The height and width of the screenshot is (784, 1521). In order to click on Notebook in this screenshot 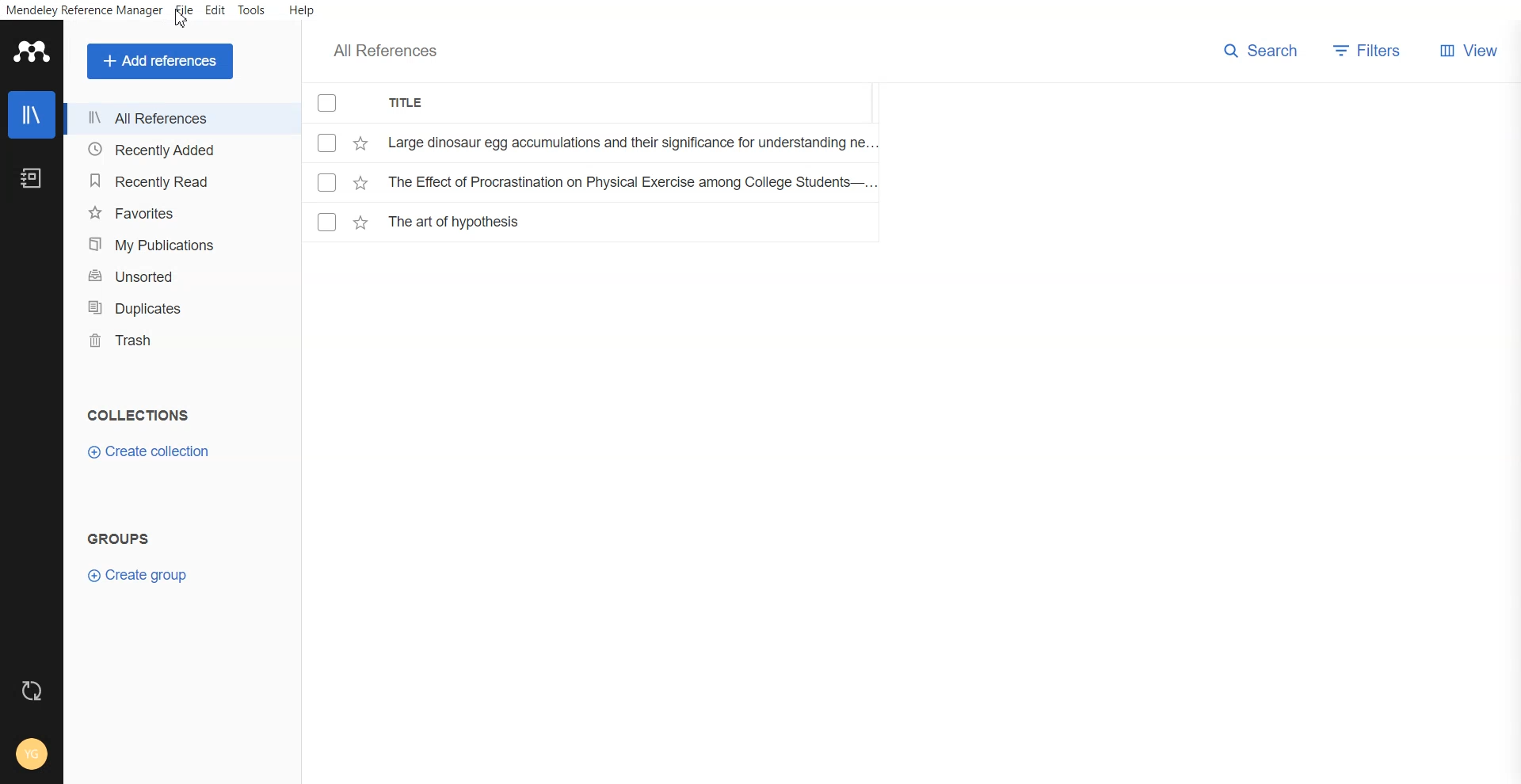, I will do `click(31, 177)`.